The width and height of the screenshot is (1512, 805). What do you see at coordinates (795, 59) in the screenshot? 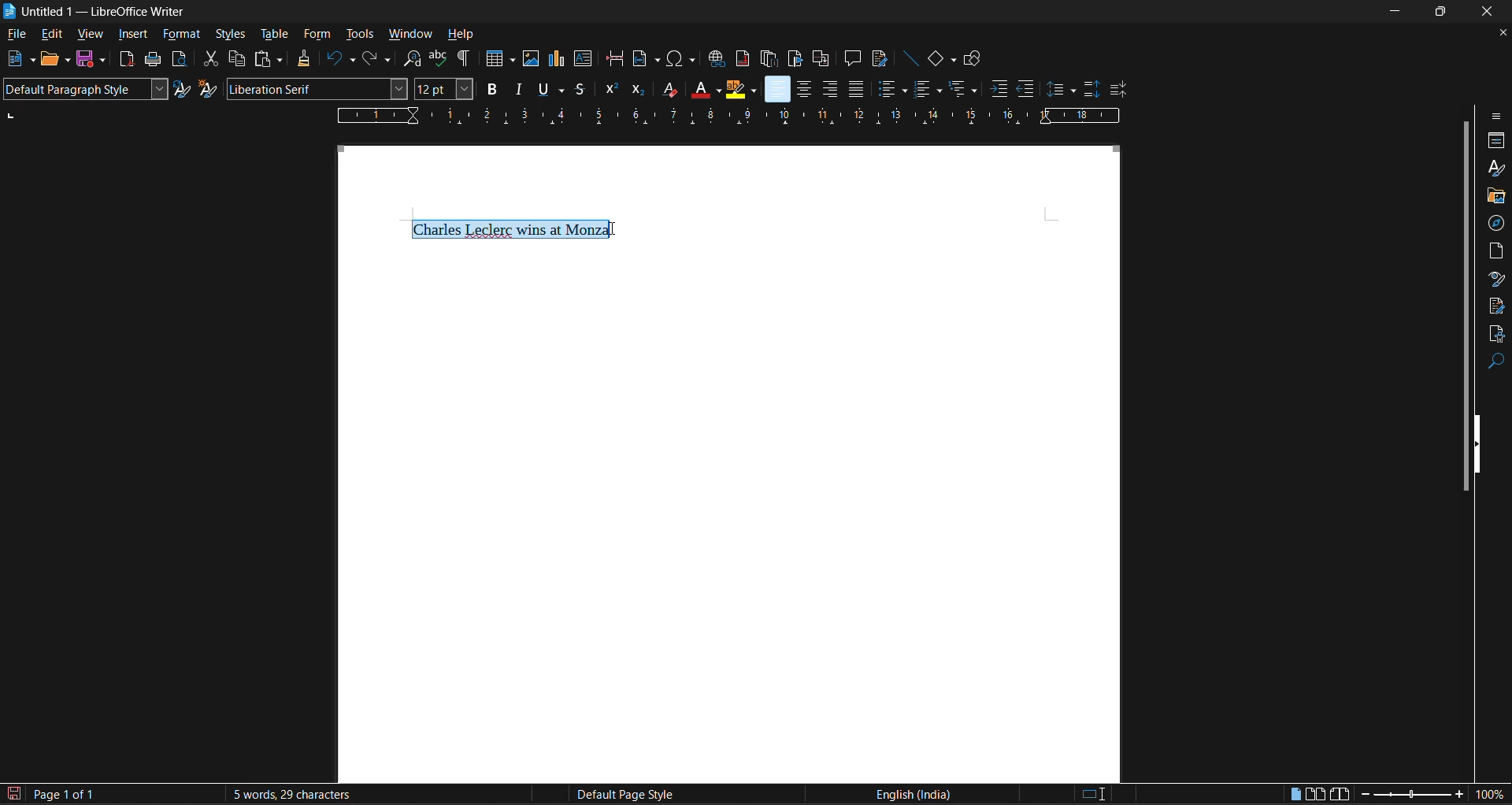
I see `insert bookmark` at bounding box center [795, 59].